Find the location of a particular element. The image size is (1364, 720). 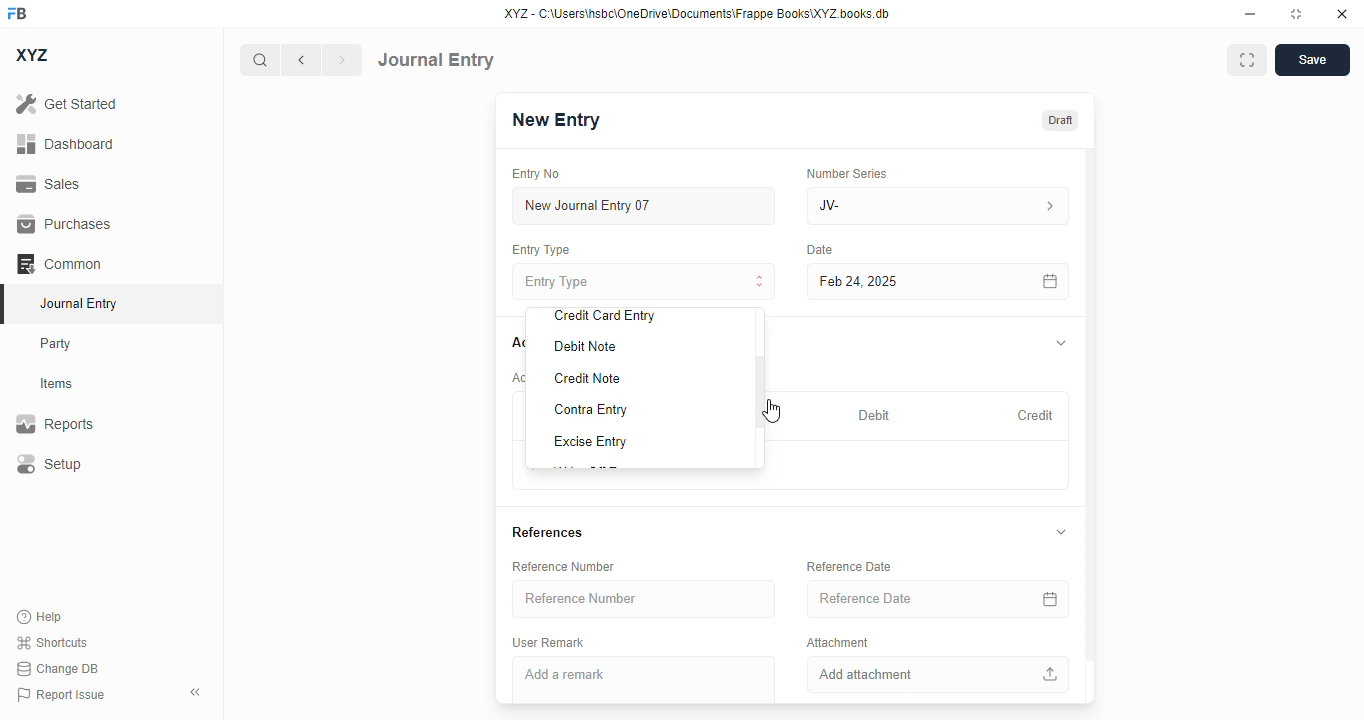

reference number is located at coordinates (564, 566).